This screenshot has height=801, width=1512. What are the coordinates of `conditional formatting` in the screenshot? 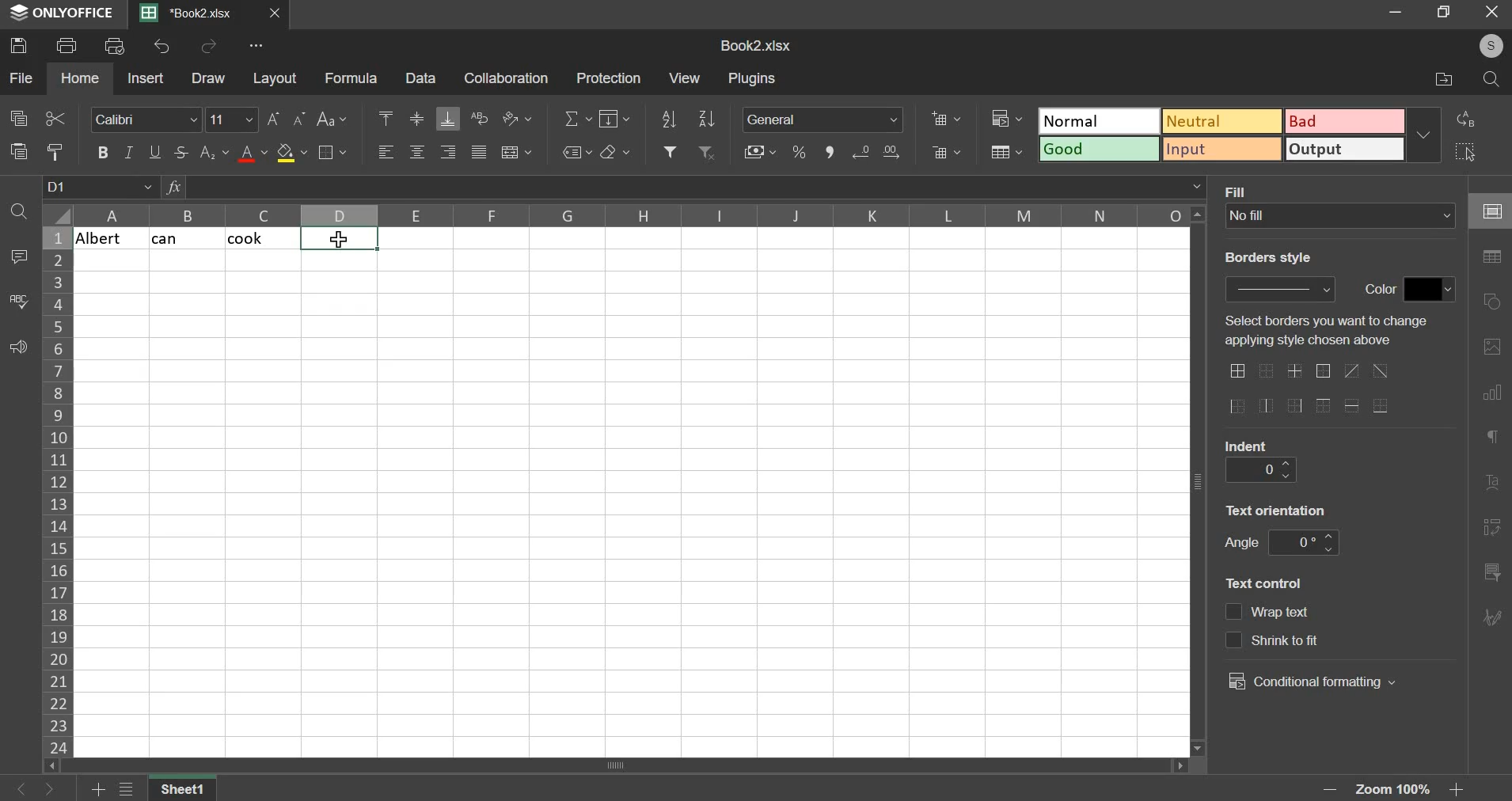 It's located at (1005, 120).